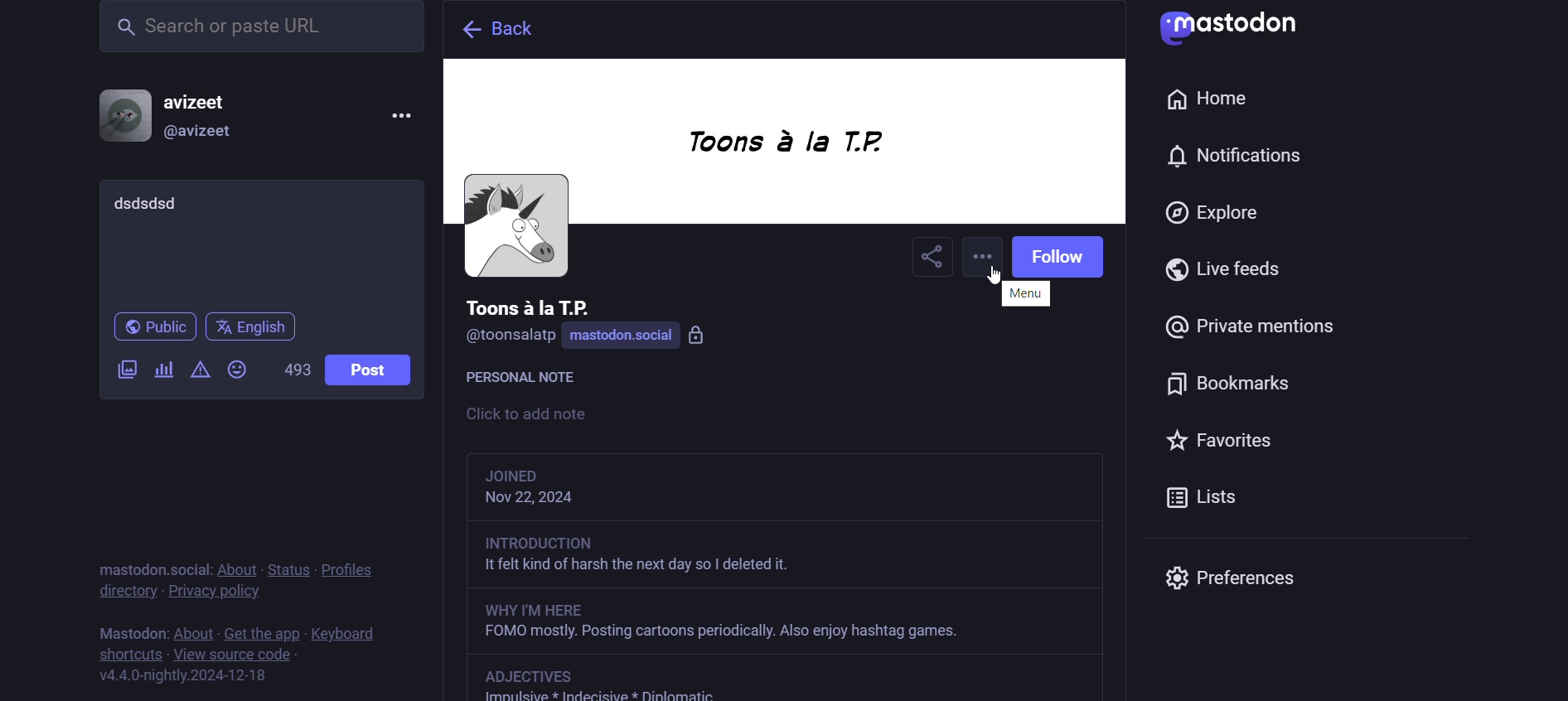  What do you see at coordinates (1204, 98) in the screenshot?
I see `home` at bounding box center [1204, 98].